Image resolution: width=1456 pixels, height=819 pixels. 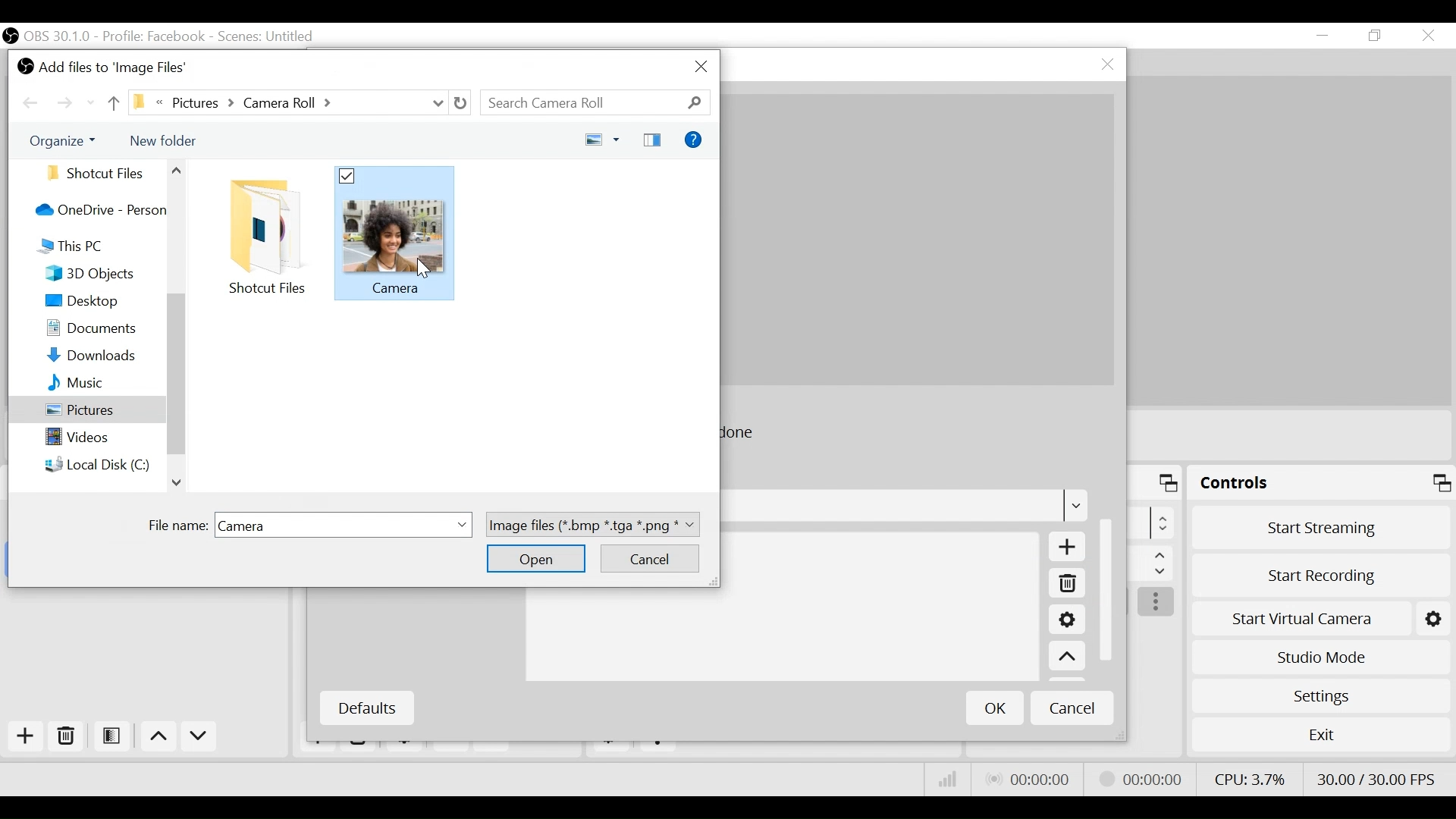 I want to click on Pictures, so click(x=84, y=413).